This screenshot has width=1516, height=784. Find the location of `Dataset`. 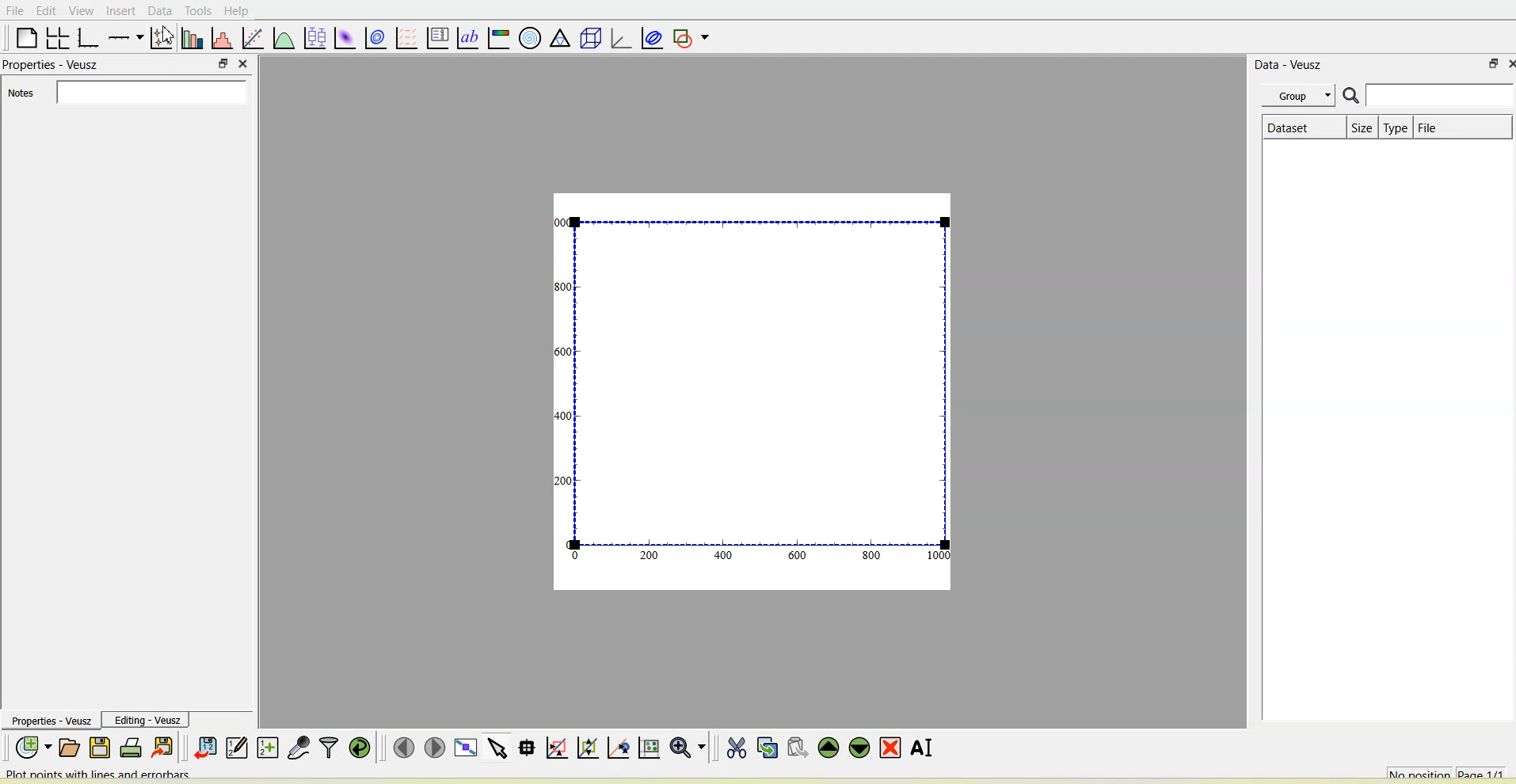

Dataset is located at coordinates (1304, 126).